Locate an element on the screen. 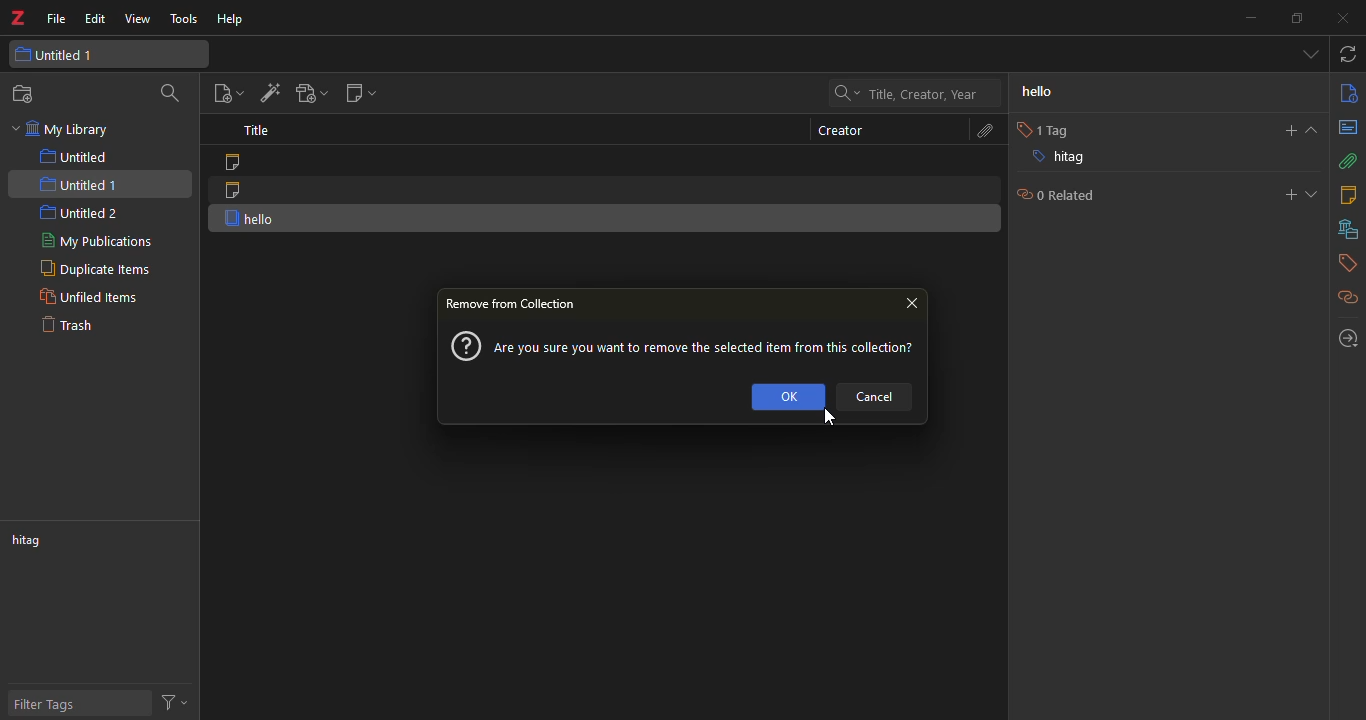 This screenshot has height=720, width=1366. notes is located at coordinates (1346, 193).